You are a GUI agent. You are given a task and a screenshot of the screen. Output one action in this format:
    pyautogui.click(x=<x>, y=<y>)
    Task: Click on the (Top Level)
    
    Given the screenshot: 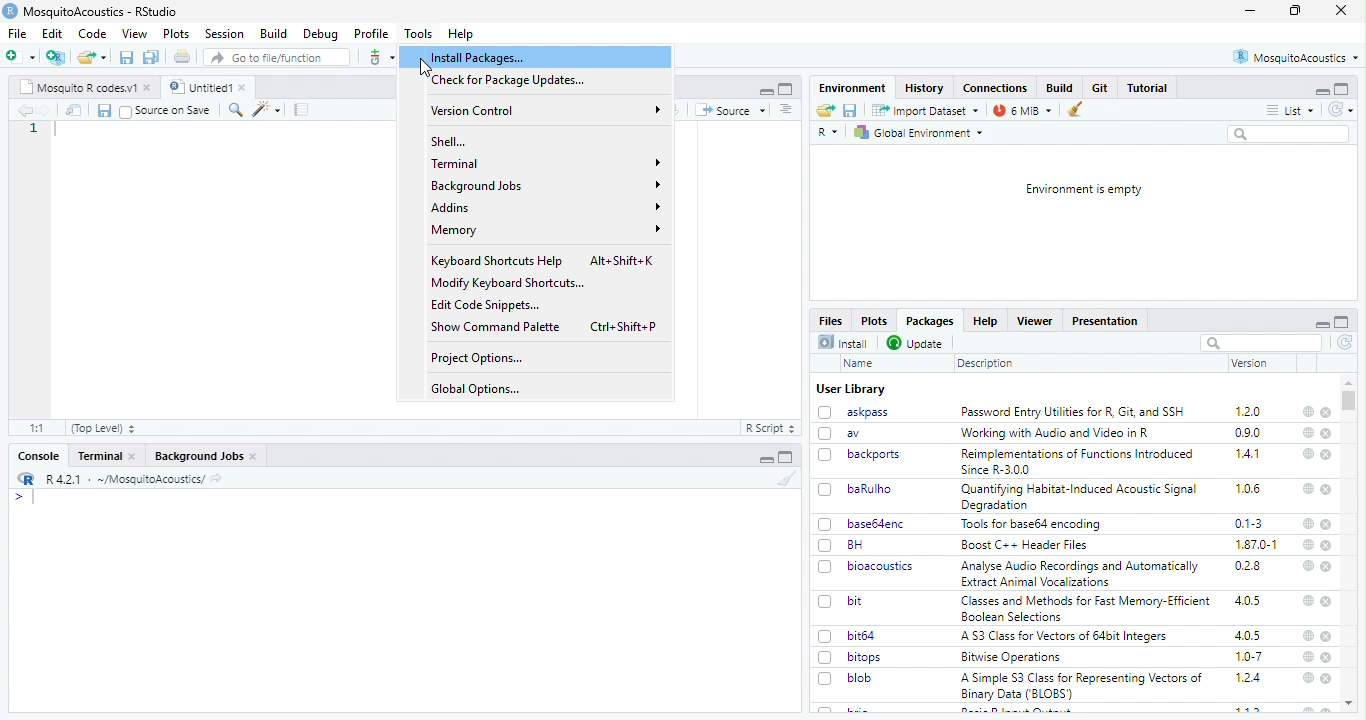 What is the action you would take?
    pyautogui.click(x=104, y=429)
    